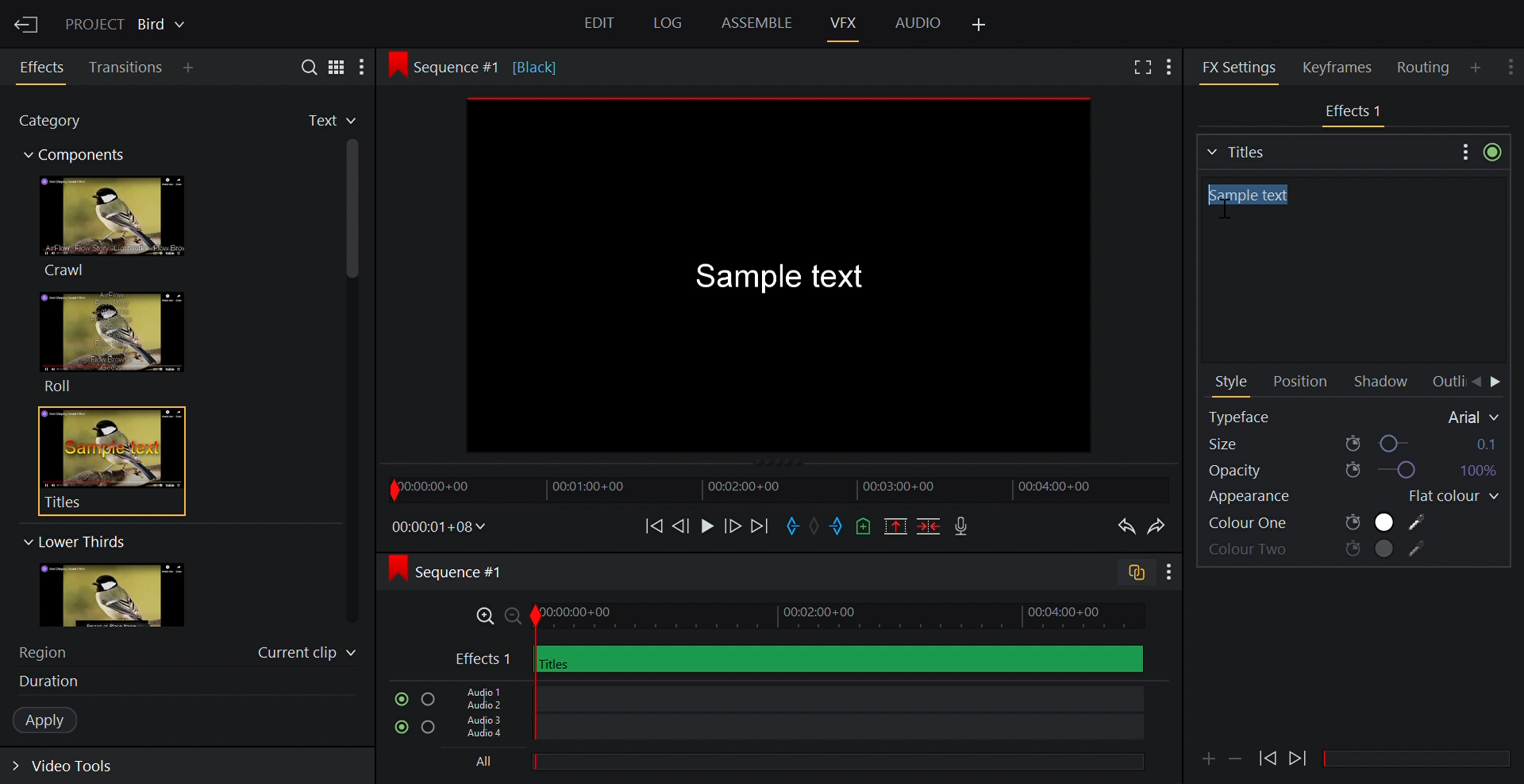 The image size is (1524, 784). I want to click on Favorites, so click(318, 121).